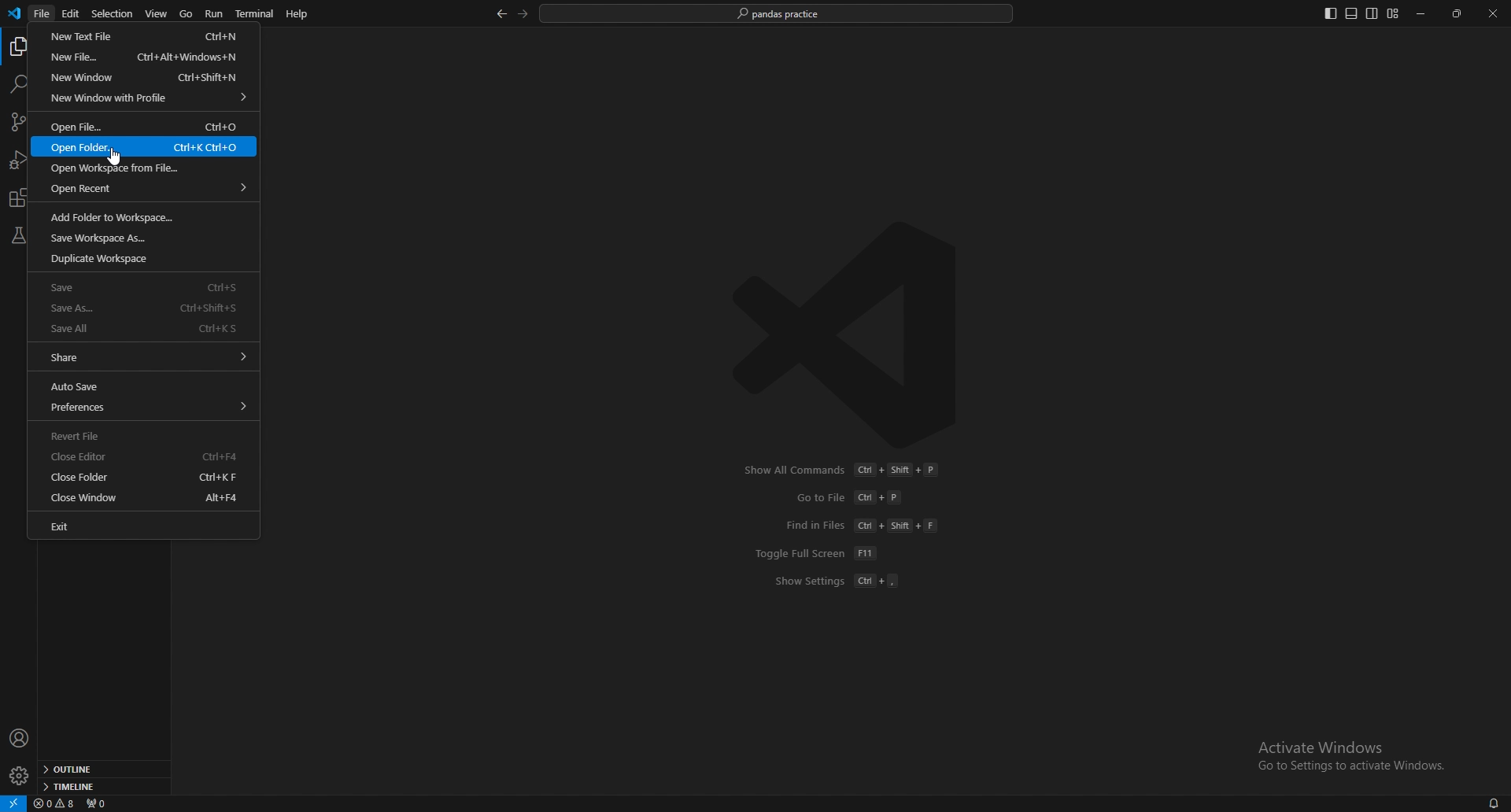 This screenshot has height=812, width=1511. Describe the element at coordinates (20, 776) in the screenshot. I see `settings` at that location.